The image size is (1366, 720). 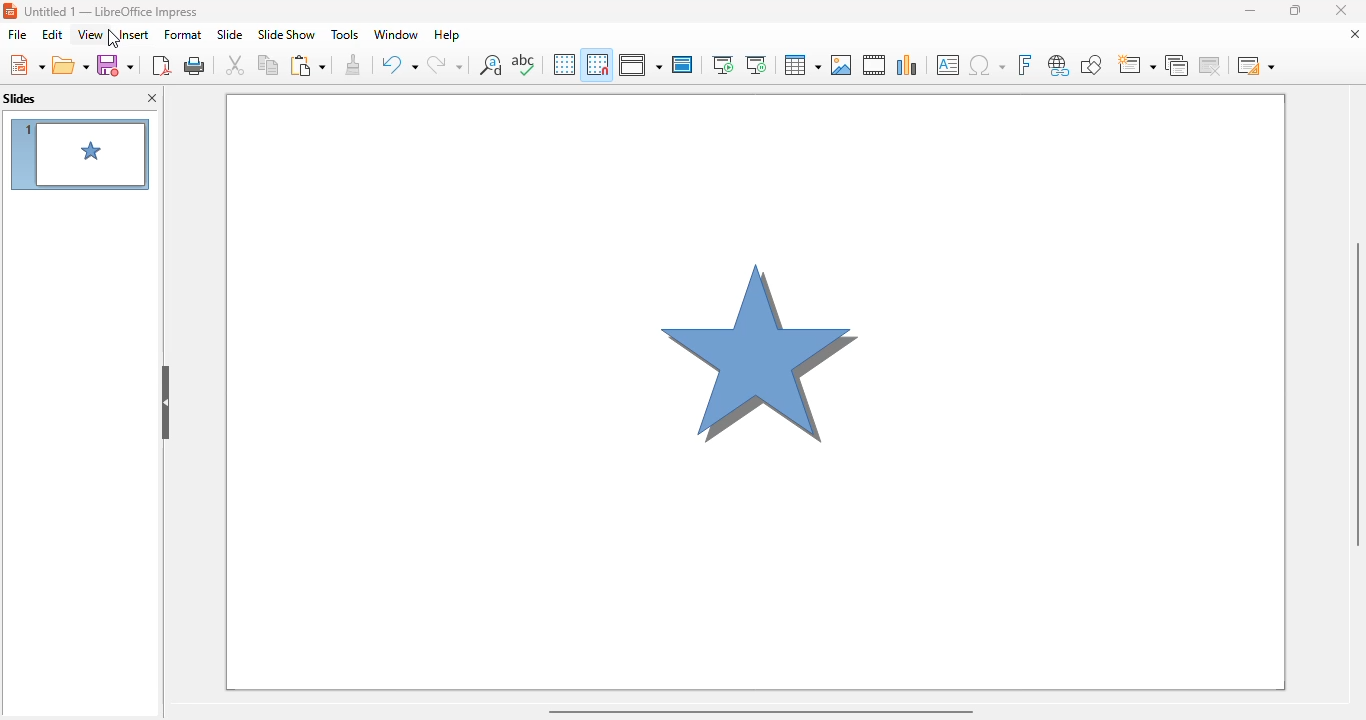 I want to click on insert fontwork text, so click(x=1024, y=65).